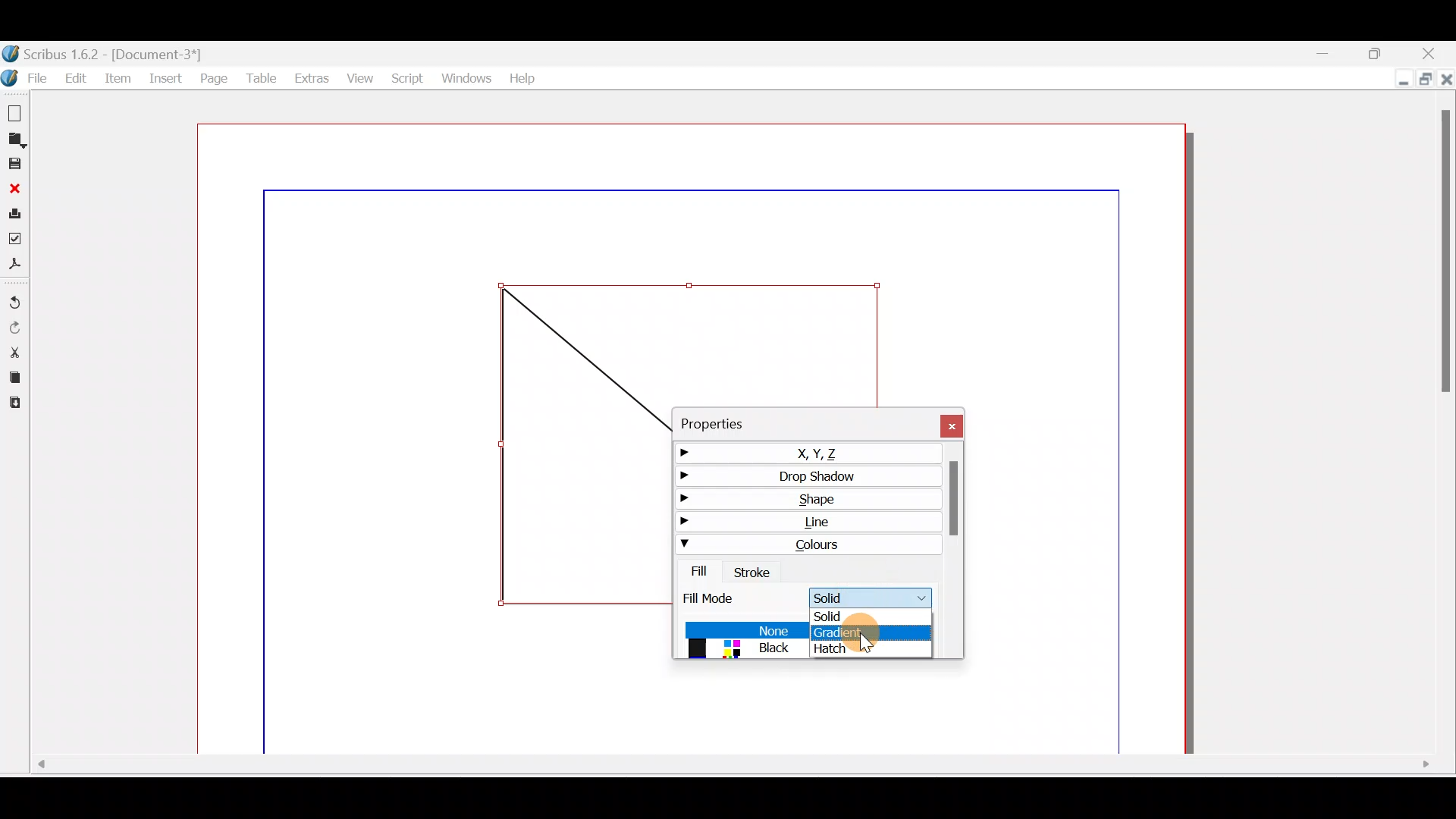 This screenshot has height=819, width=1456. Describe the element at coordinates (464, 75) in the screenshot. I see `Windows` at that location.